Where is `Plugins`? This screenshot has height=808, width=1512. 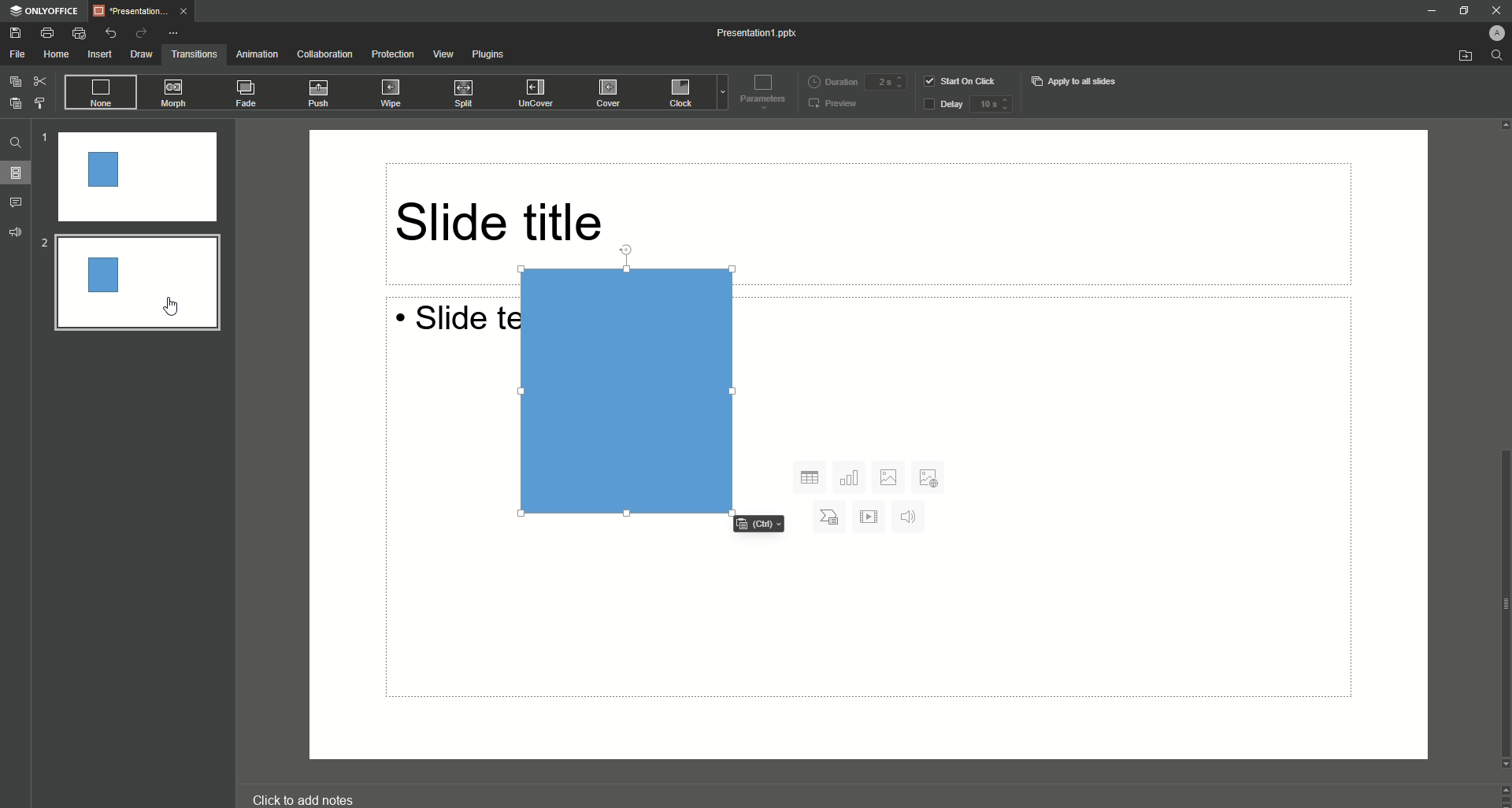
Plugins is located at coordinates (491, 56).